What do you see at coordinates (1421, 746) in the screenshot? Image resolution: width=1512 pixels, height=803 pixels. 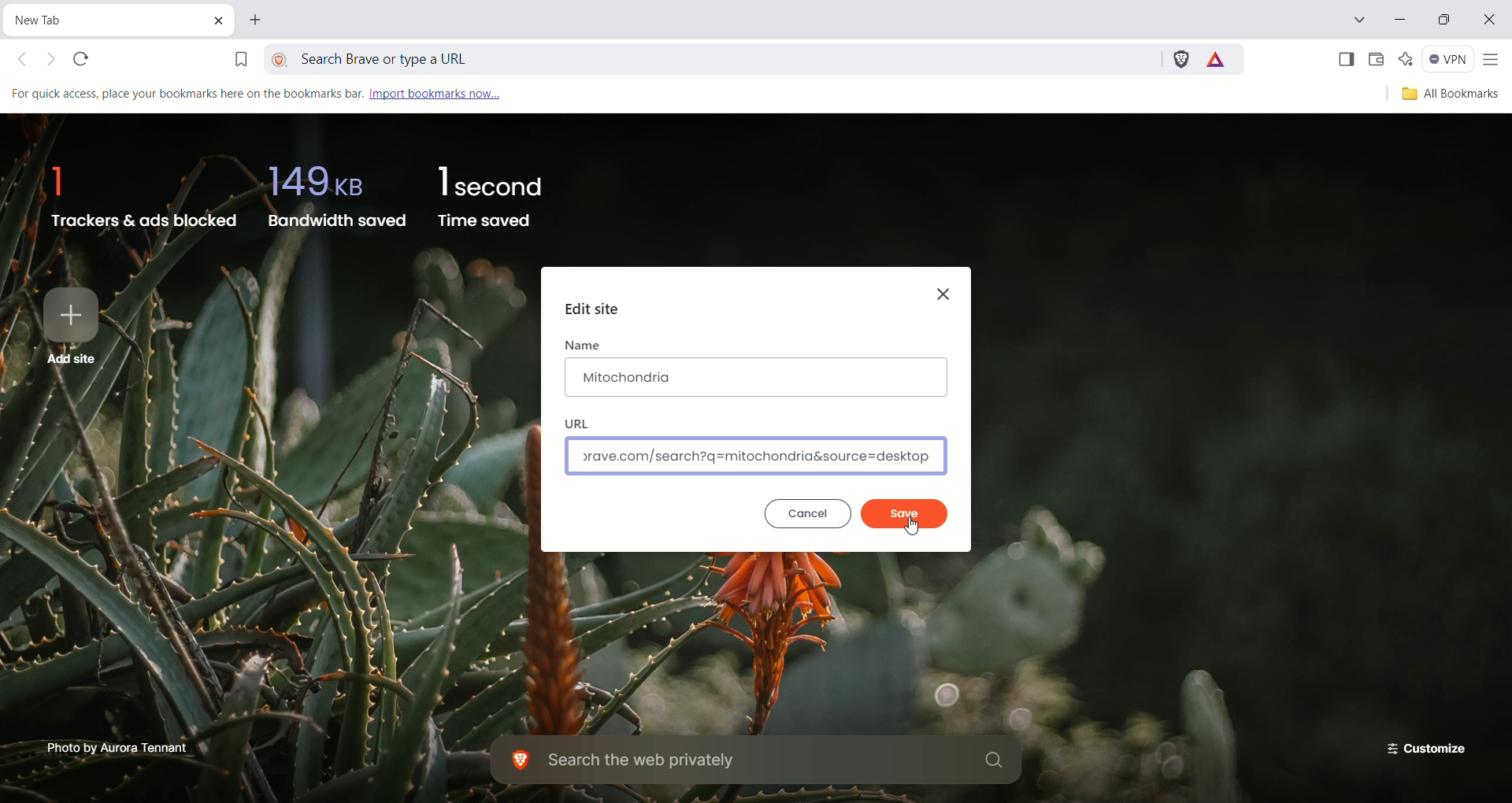 I see `customize` at bounding box center [1421, 746].